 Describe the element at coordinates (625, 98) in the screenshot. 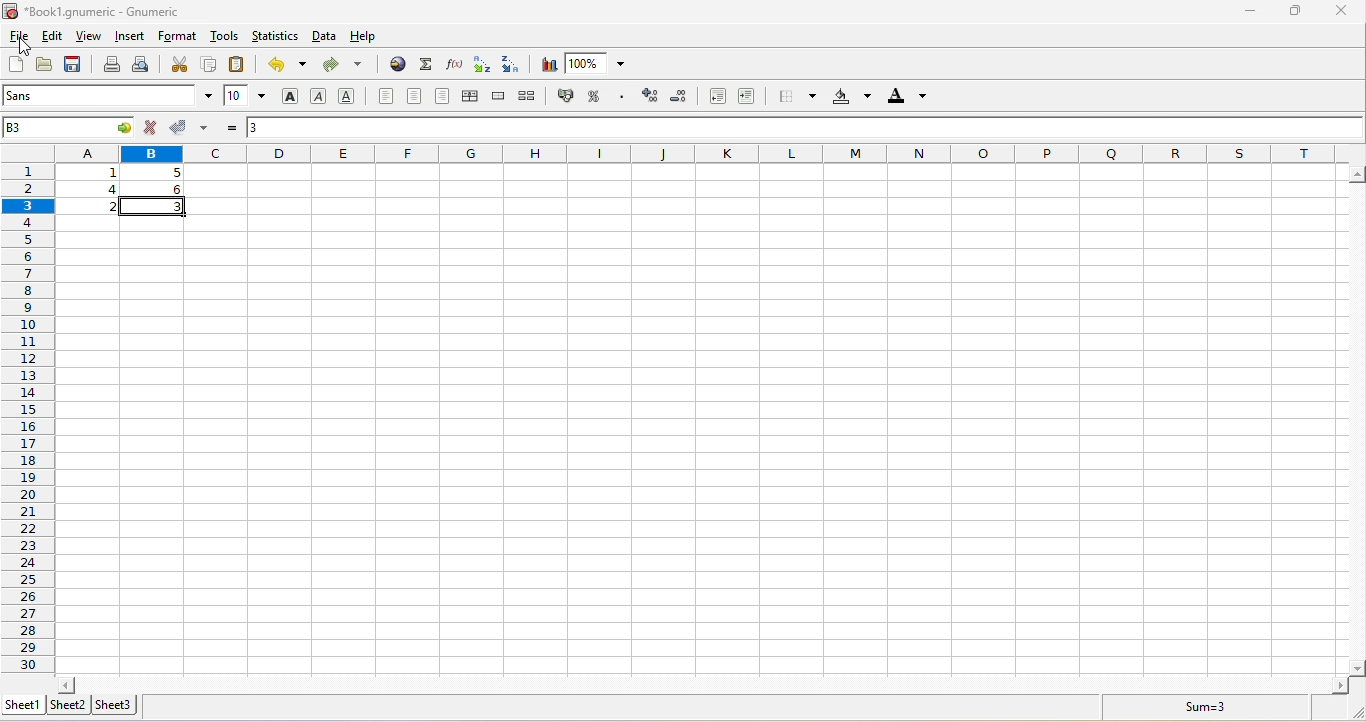

I see `set the format of the selected cells` at that location.